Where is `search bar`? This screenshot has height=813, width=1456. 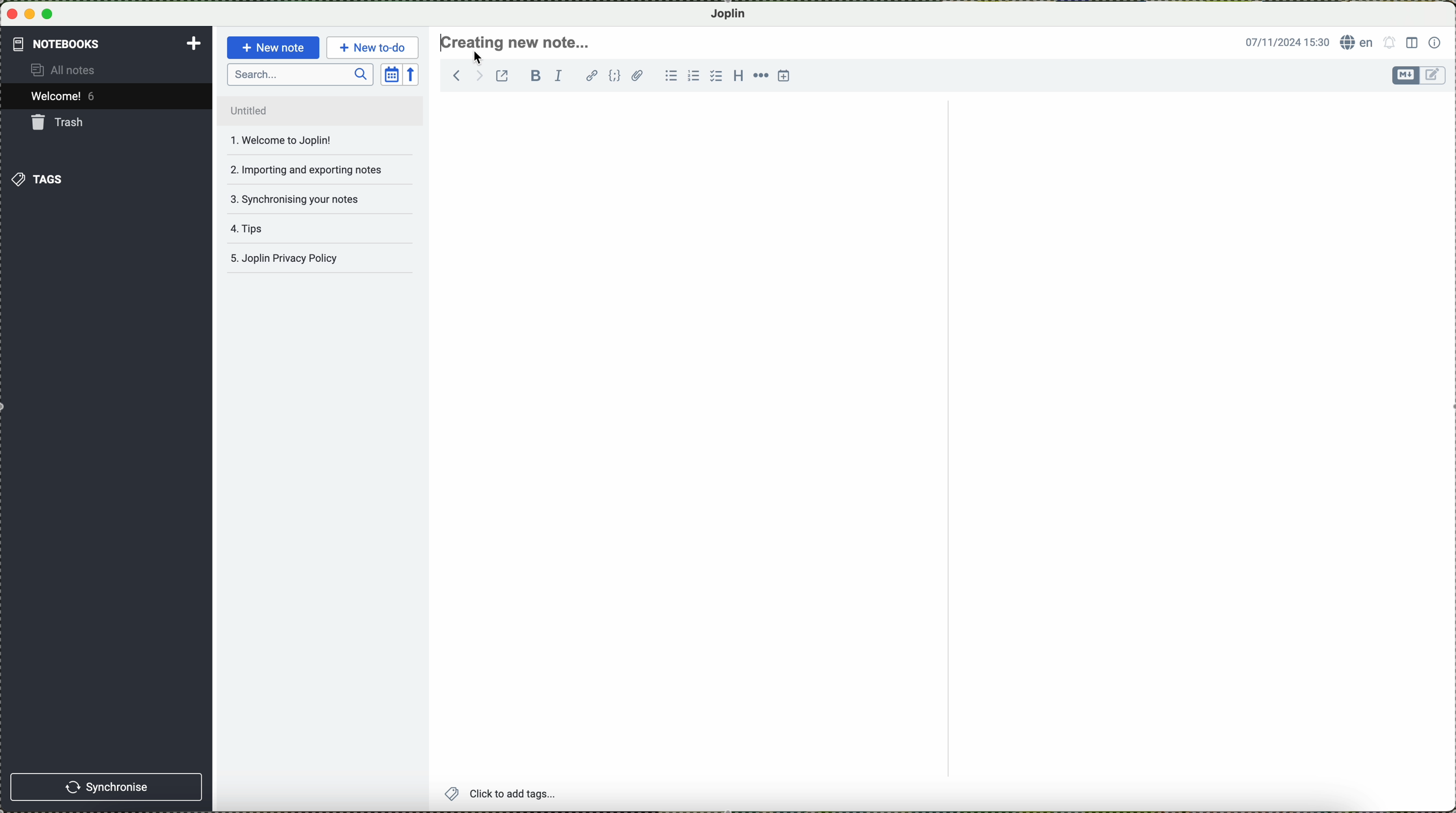 search bar is located at coordinates (300, 75).